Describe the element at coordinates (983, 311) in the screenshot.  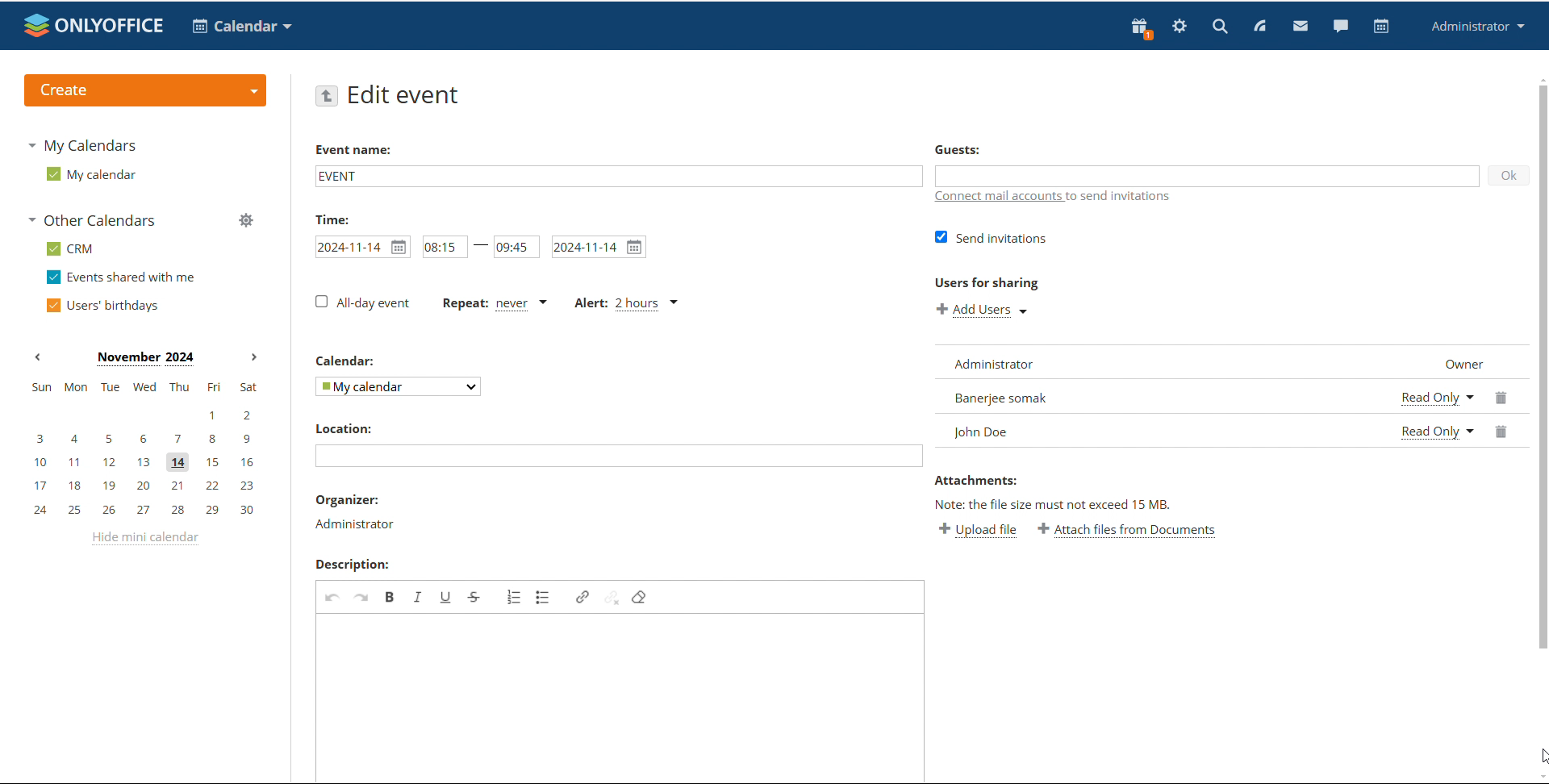
I see `add users` at that location.